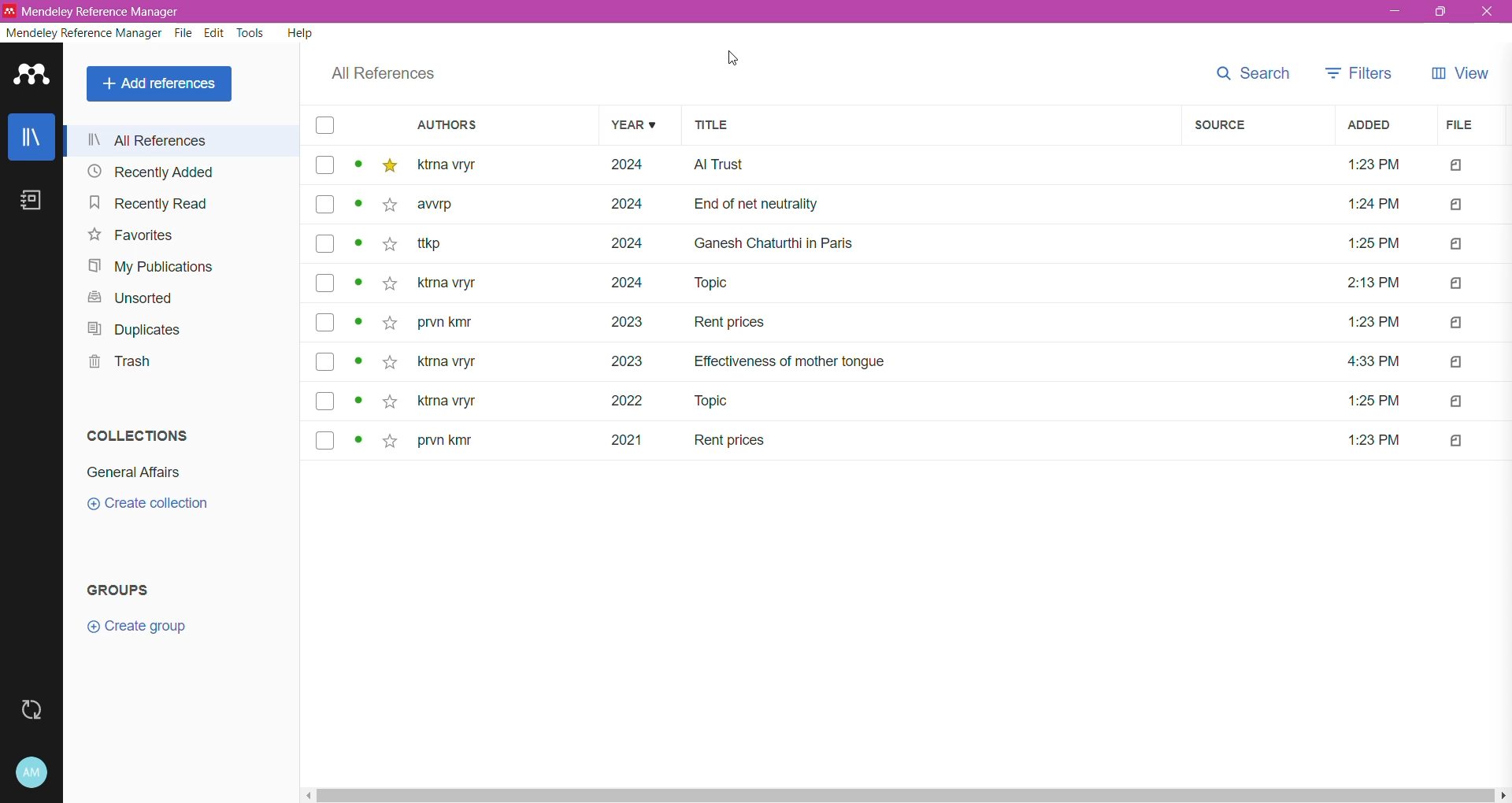 The image size is (1512, 803). I want to click on ganesh chaturthi in paris, so click(778, 242).